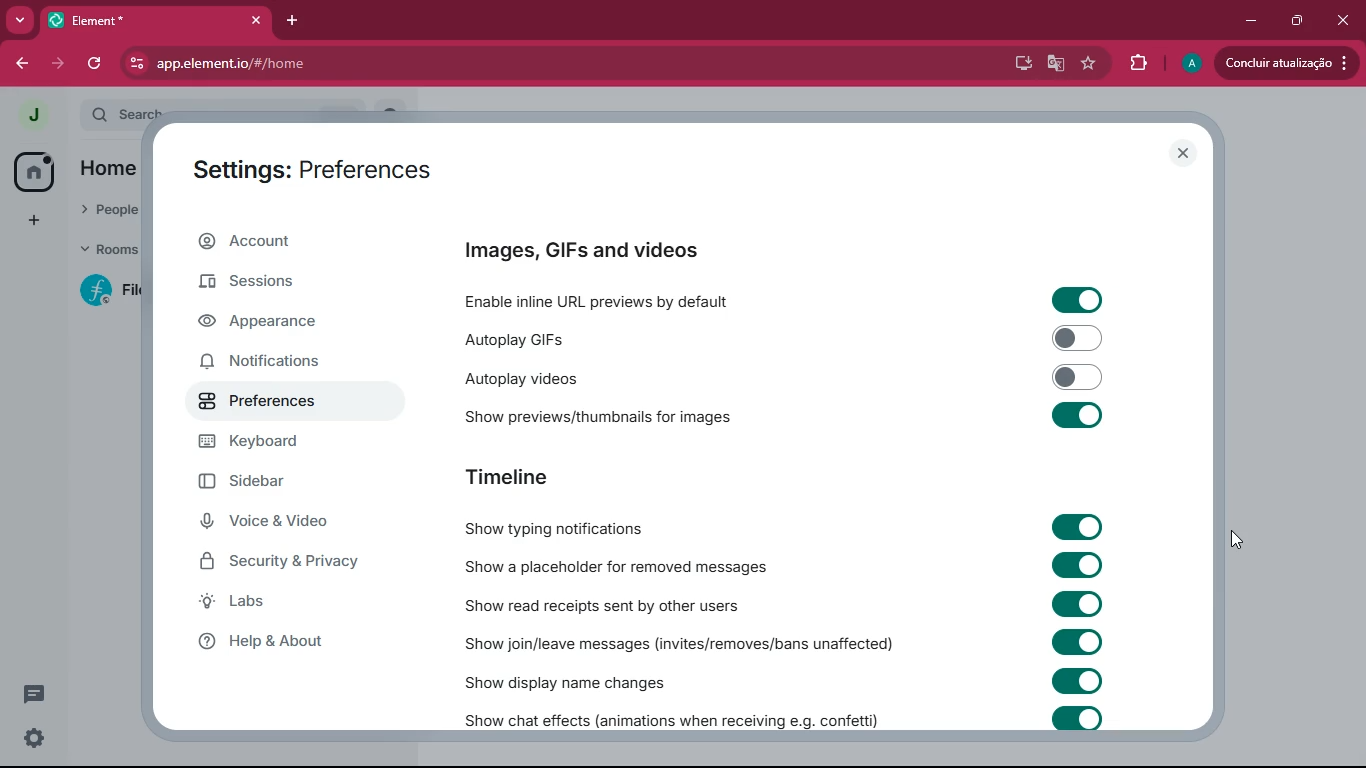 The width and height of the screenshot is (1366, 768). Describe the element at coordinates (285, 242) in the screenshot. I see `account` at that location.